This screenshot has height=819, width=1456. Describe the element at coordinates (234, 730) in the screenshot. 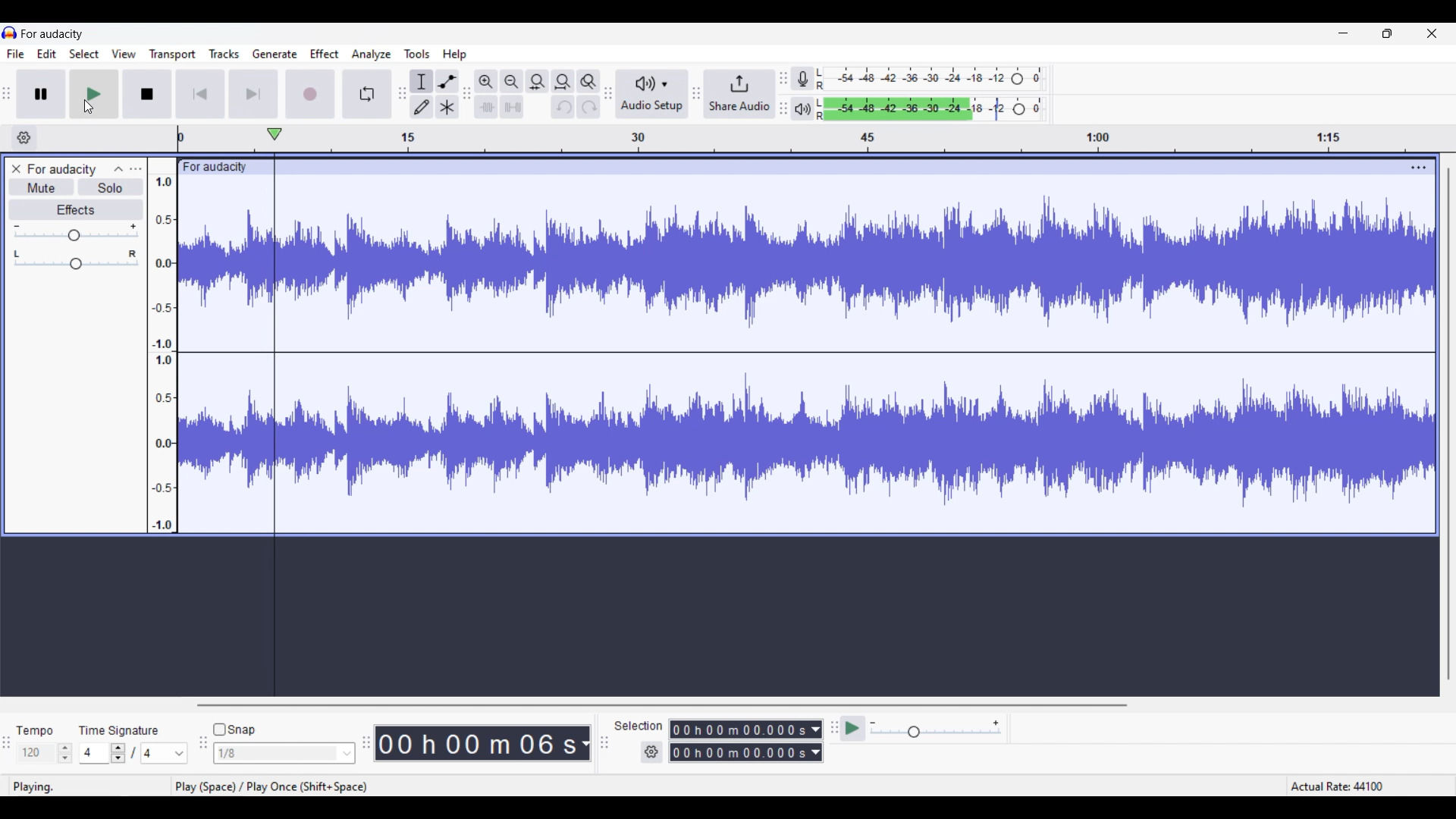

I see `Snap toggle` at that location.